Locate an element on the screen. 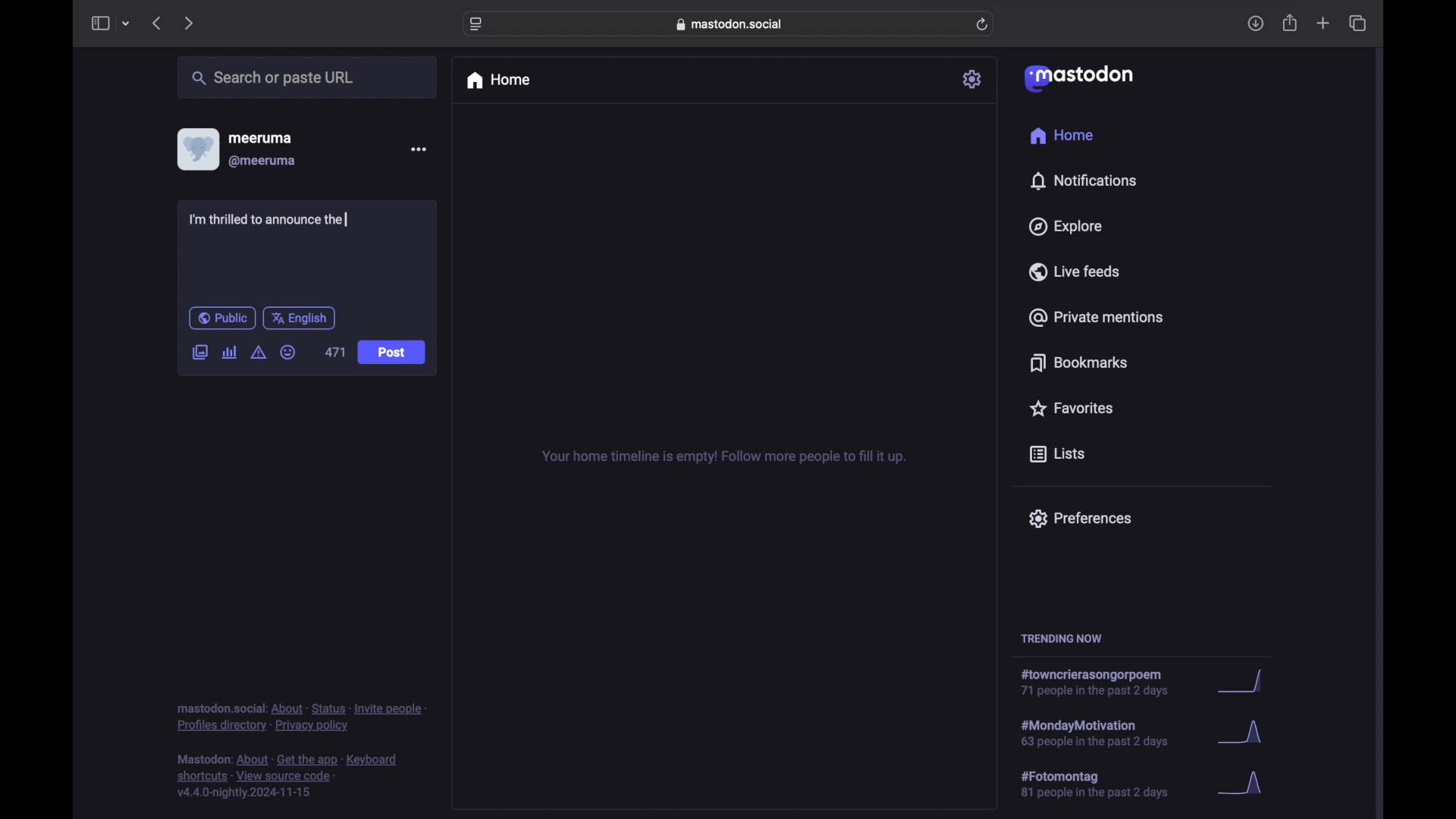 Image resolution: width=1456 pixels, height=819 pixels. preferences is located at coordinates (1080, 519).